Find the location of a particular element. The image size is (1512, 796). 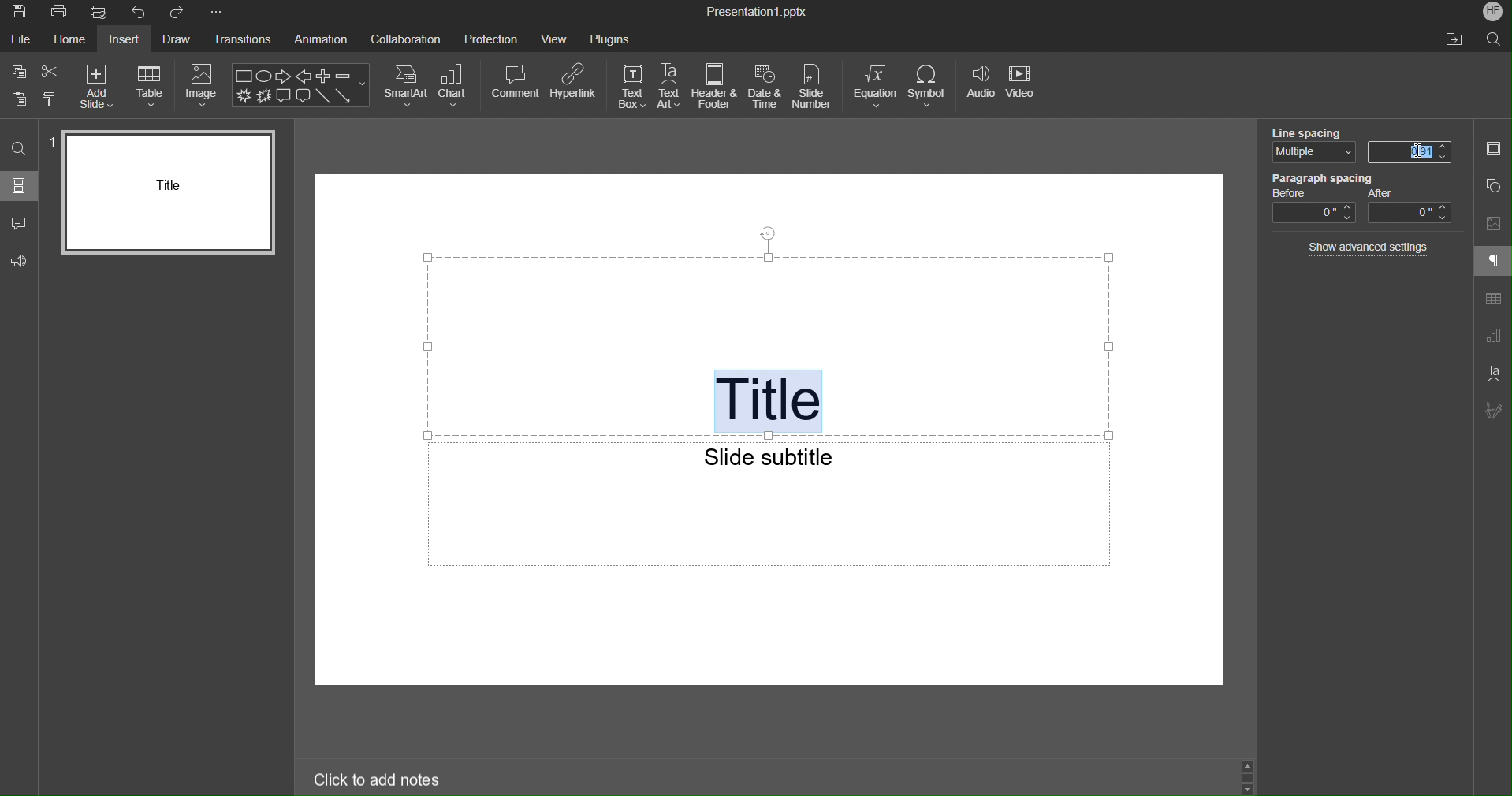

Signature is located at coordinates (1492, 411).